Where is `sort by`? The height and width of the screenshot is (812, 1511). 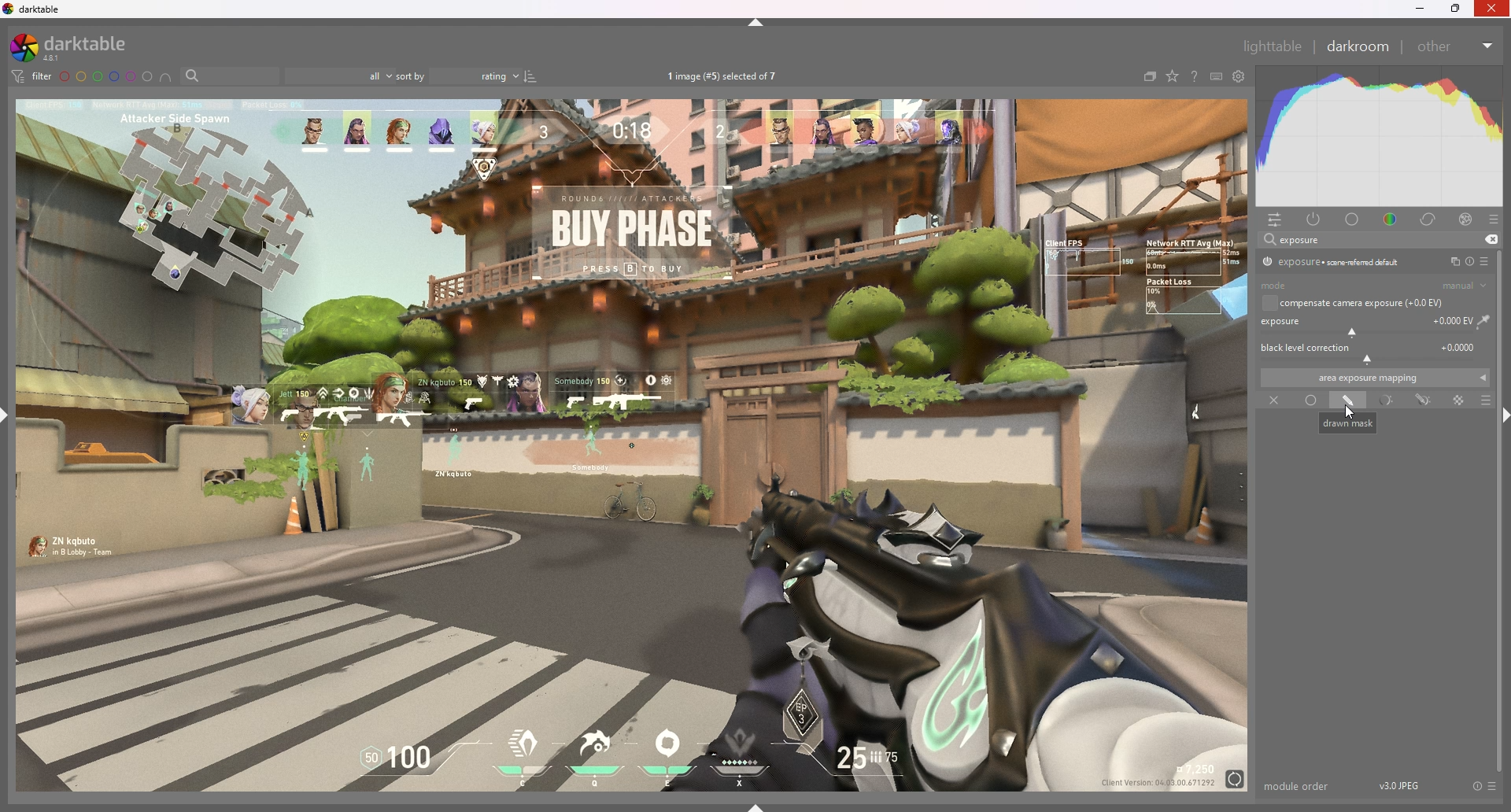 sort by is located at coordinates (459, 76).